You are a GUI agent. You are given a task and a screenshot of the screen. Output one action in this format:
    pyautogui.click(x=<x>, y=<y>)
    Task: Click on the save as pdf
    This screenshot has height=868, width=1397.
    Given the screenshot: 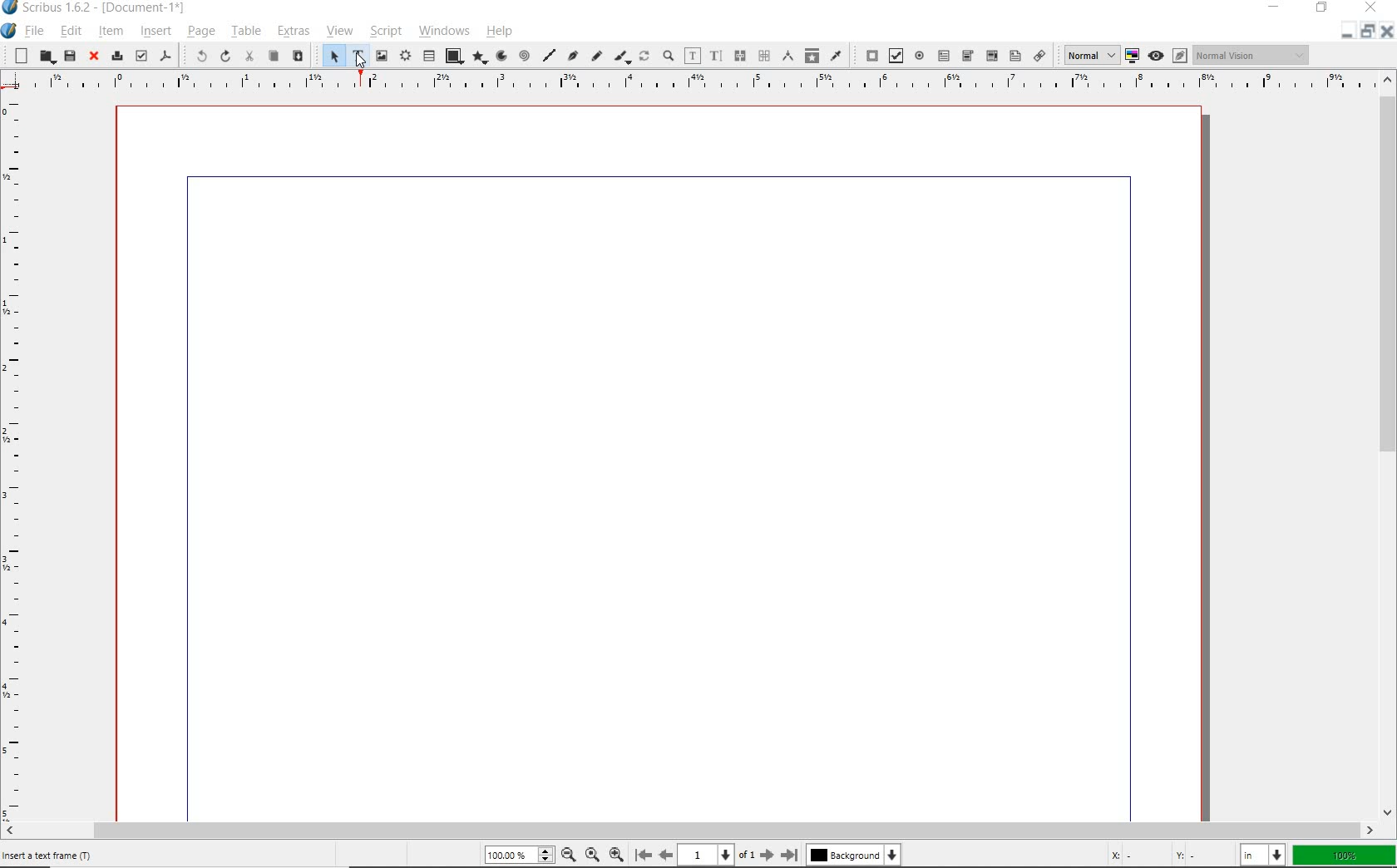 What is the action you would take?
    pyautogui.click(x=165, y=56)
    